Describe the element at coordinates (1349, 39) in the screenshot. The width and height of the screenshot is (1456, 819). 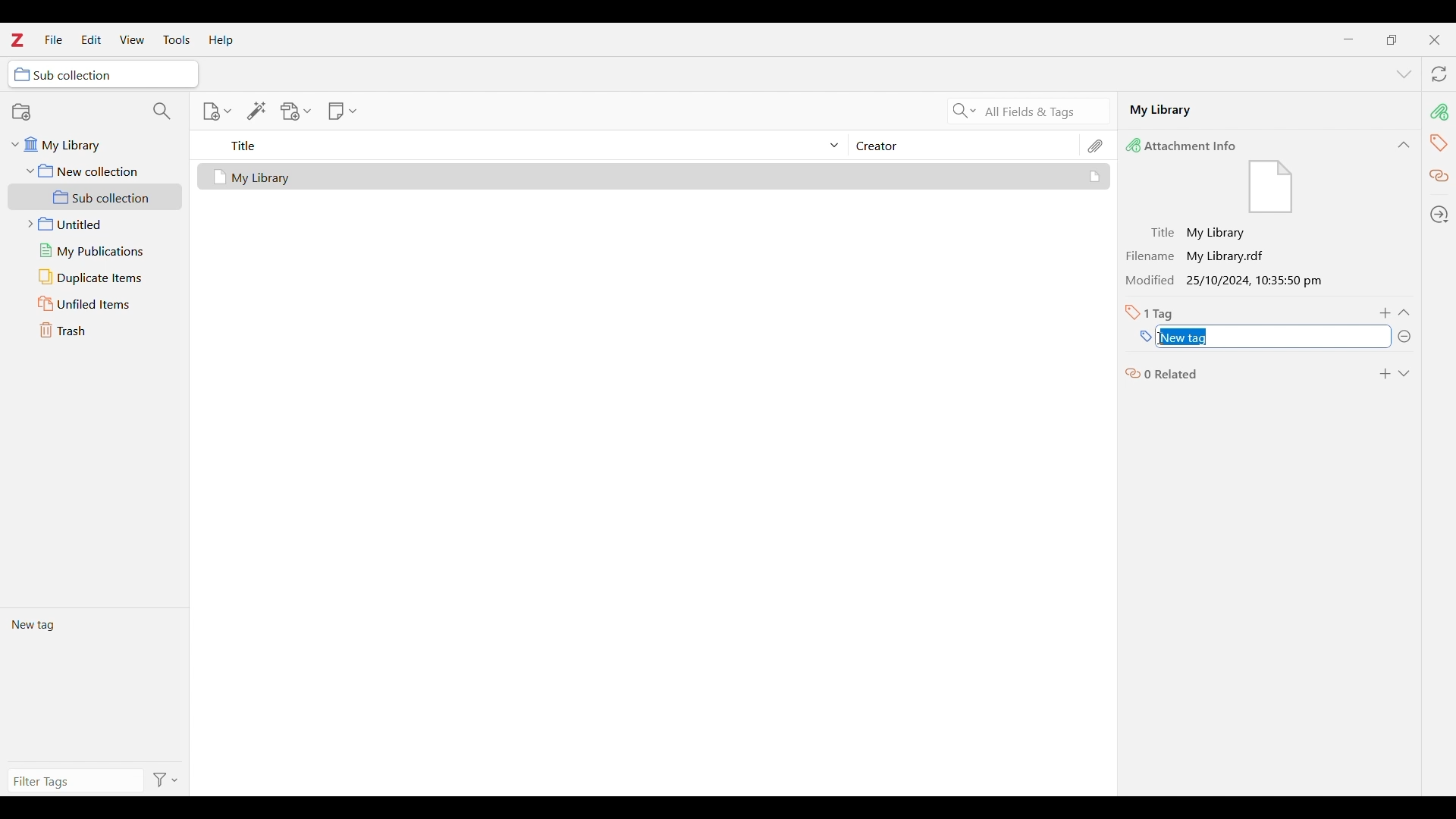
I see `Minimize` at that location.